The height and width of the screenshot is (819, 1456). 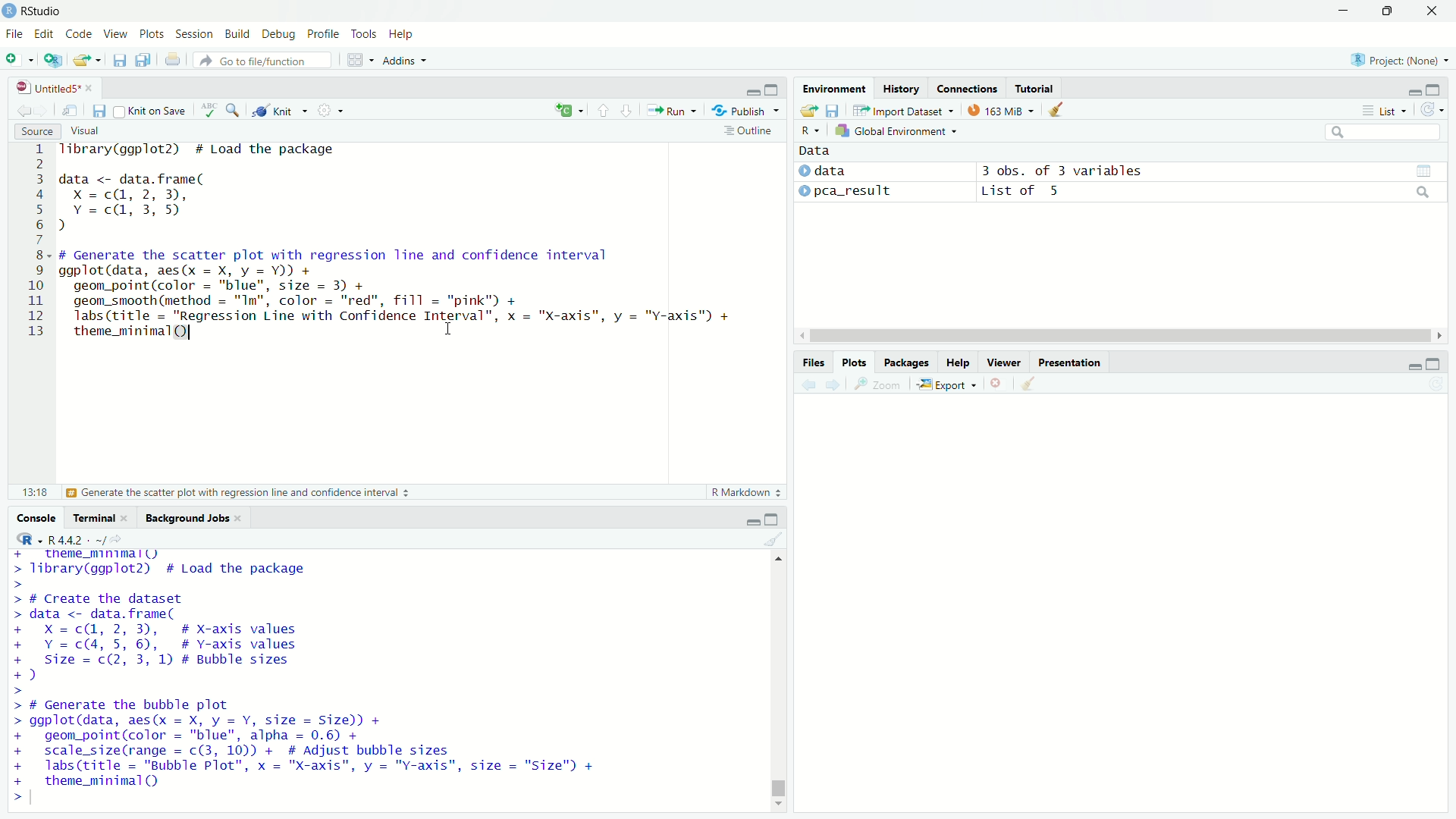 I want to click on Go back to previous source location, so click(x=24, y=111).